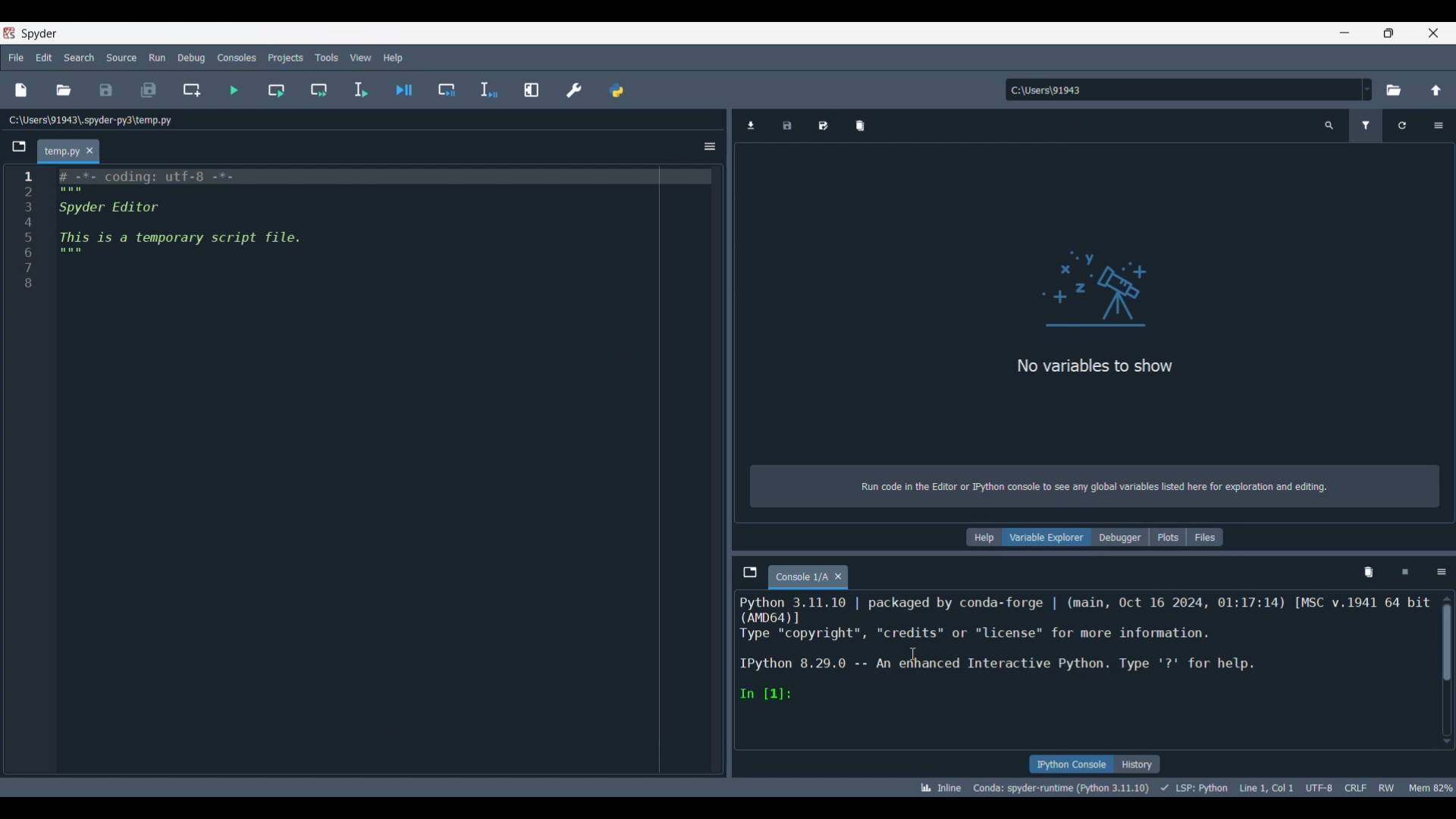 This screenshot has width=1456, height=819. What do you see at coordinates (1433, 33) in the screenshot?
I see `Close interface` at bounding box center [1433, 33].